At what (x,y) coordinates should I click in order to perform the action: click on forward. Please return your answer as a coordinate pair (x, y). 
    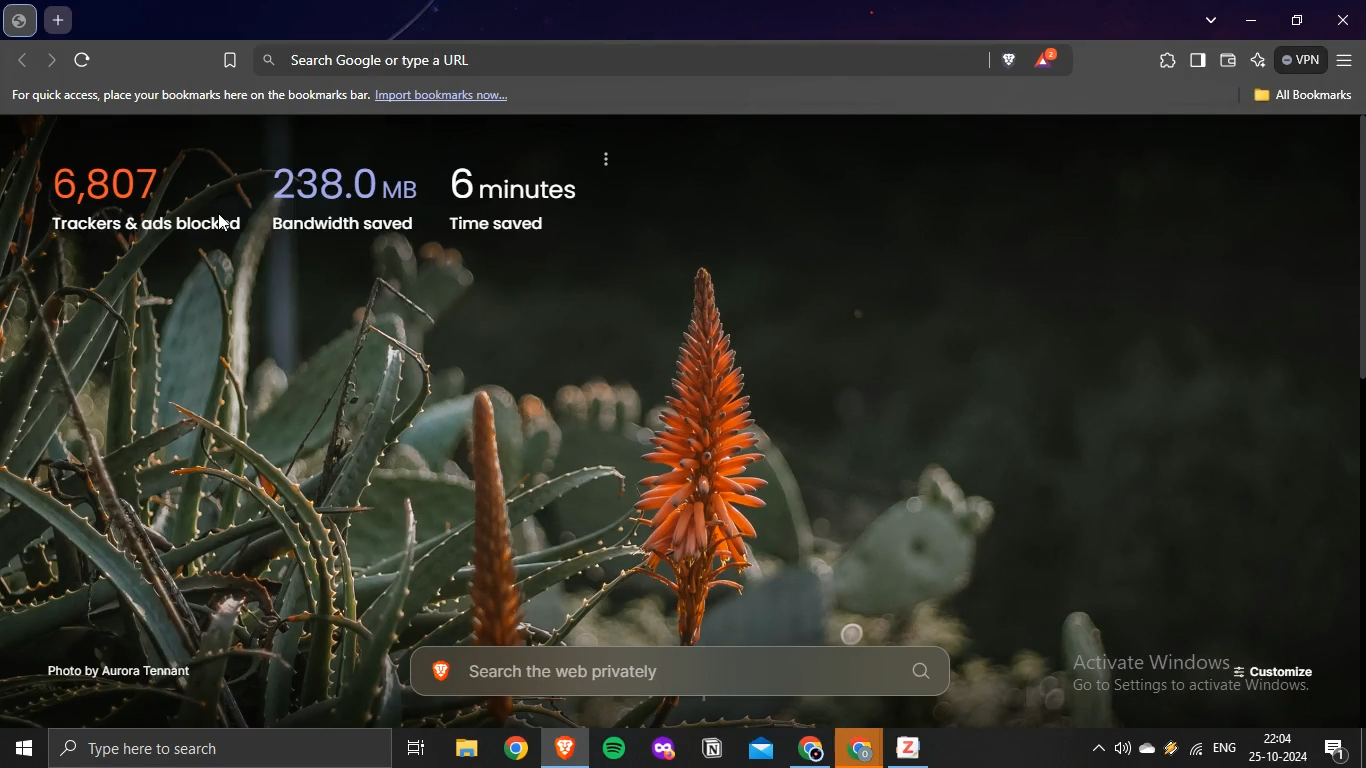
    Looking at the image, I should click on (53, 60).